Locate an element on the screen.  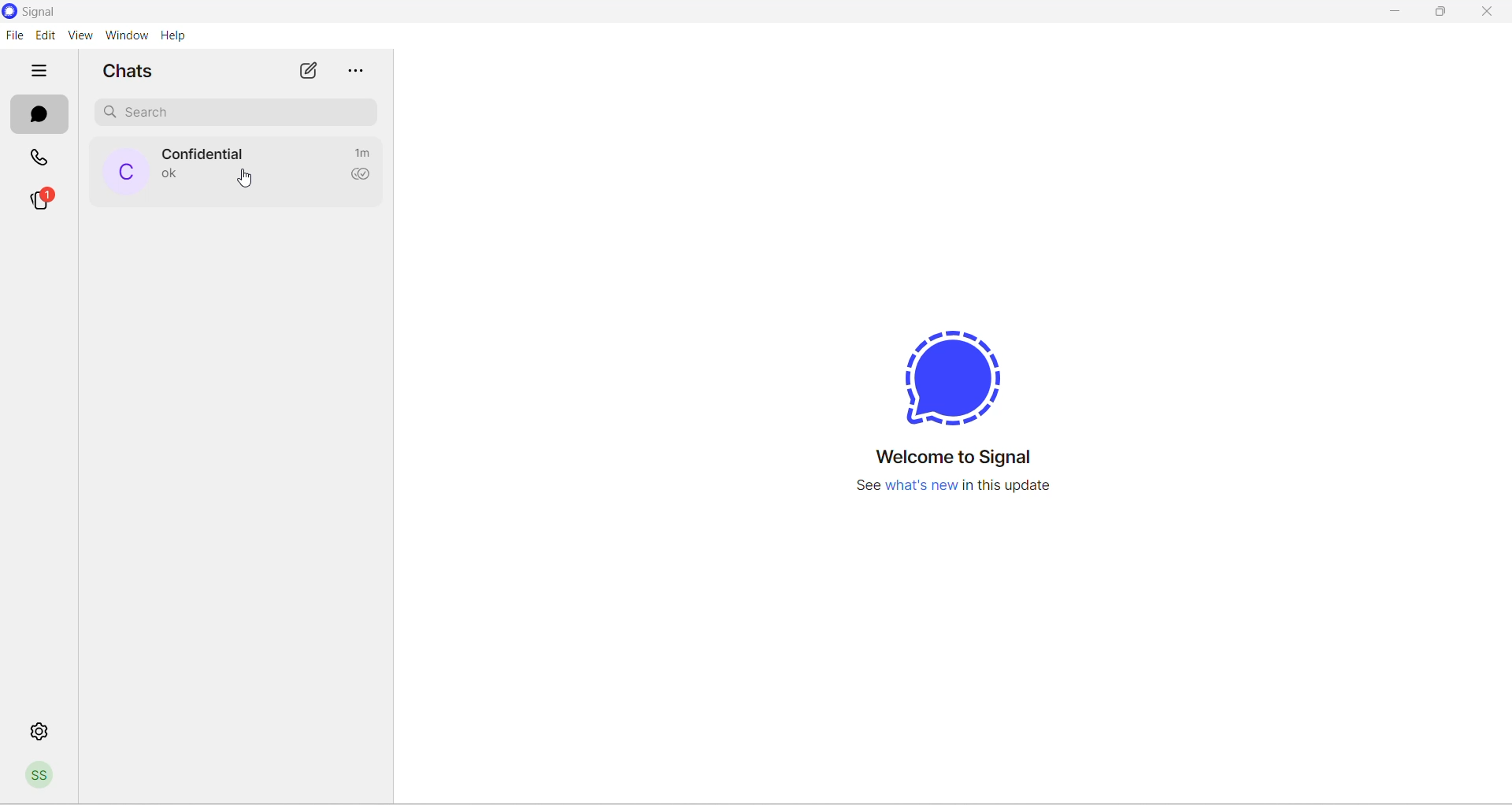
contact name is located at coordinates (207, 154).